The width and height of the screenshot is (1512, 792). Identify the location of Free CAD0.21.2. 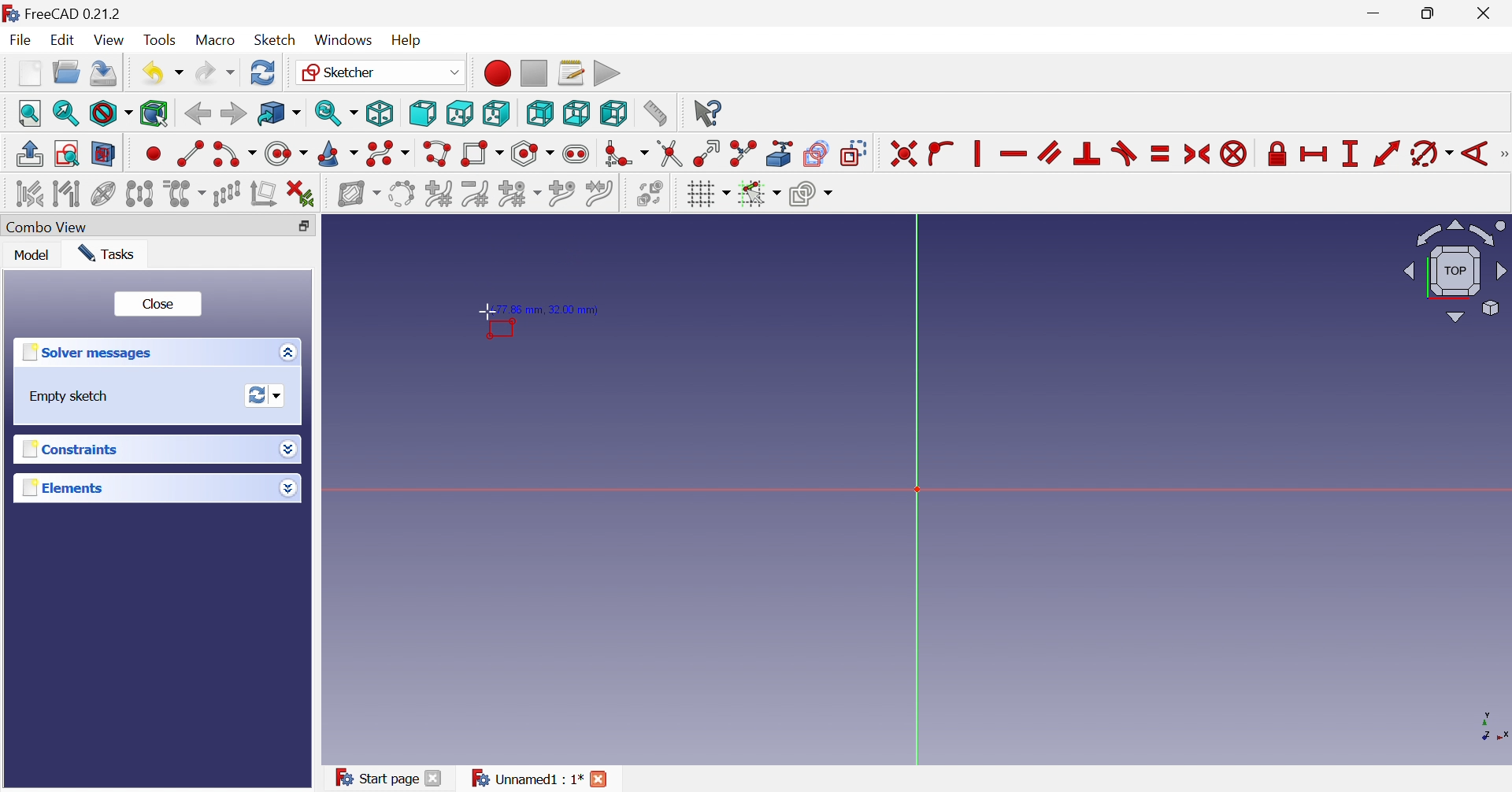
(74, 12).